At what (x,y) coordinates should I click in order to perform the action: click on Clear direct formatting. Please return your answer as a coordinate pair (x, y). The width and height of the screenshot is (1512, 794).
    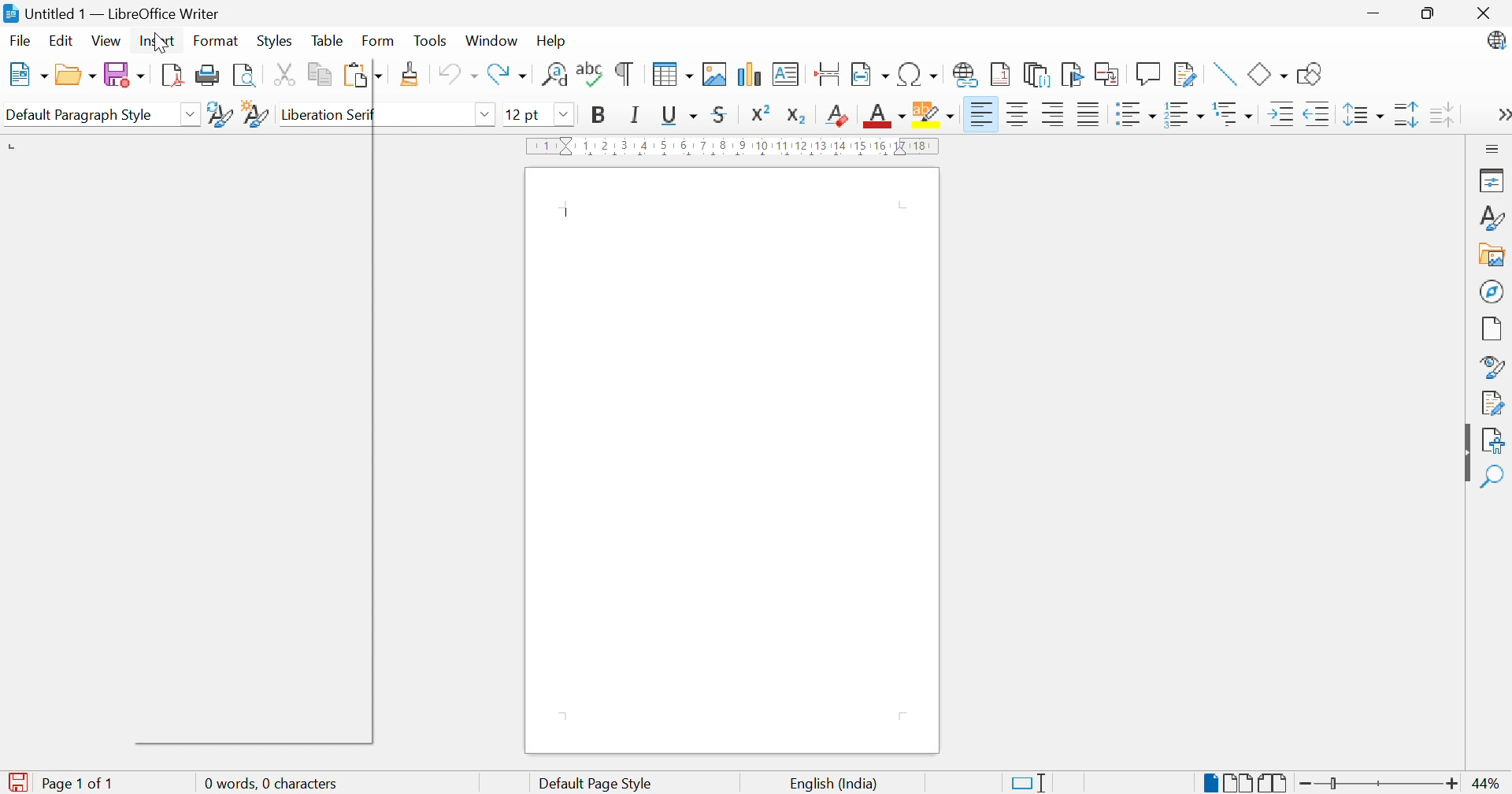
    Looking at the image, I should click on (835, 115).